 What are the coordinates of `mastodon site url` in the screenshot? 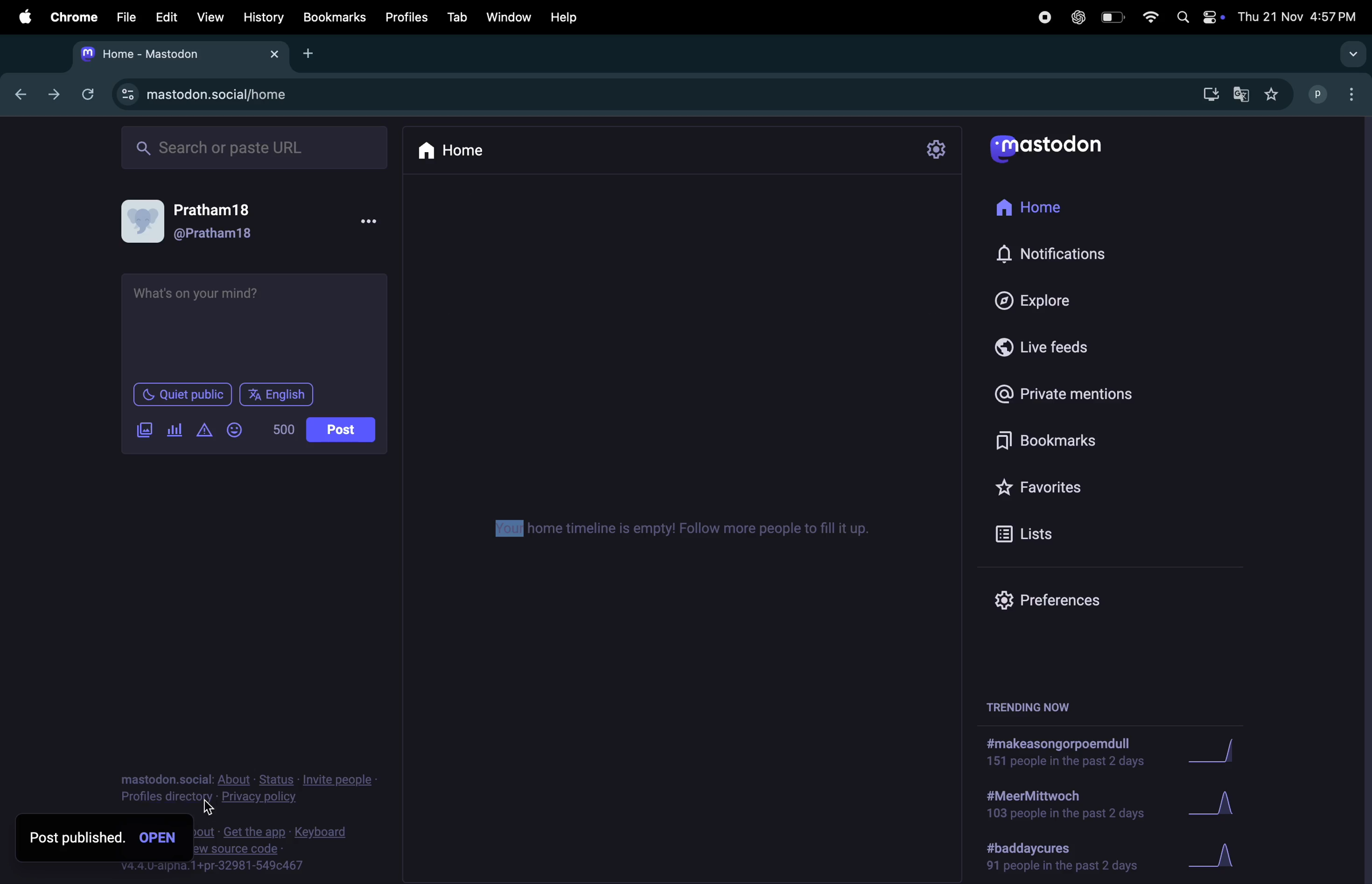 It's located at (238, 96).